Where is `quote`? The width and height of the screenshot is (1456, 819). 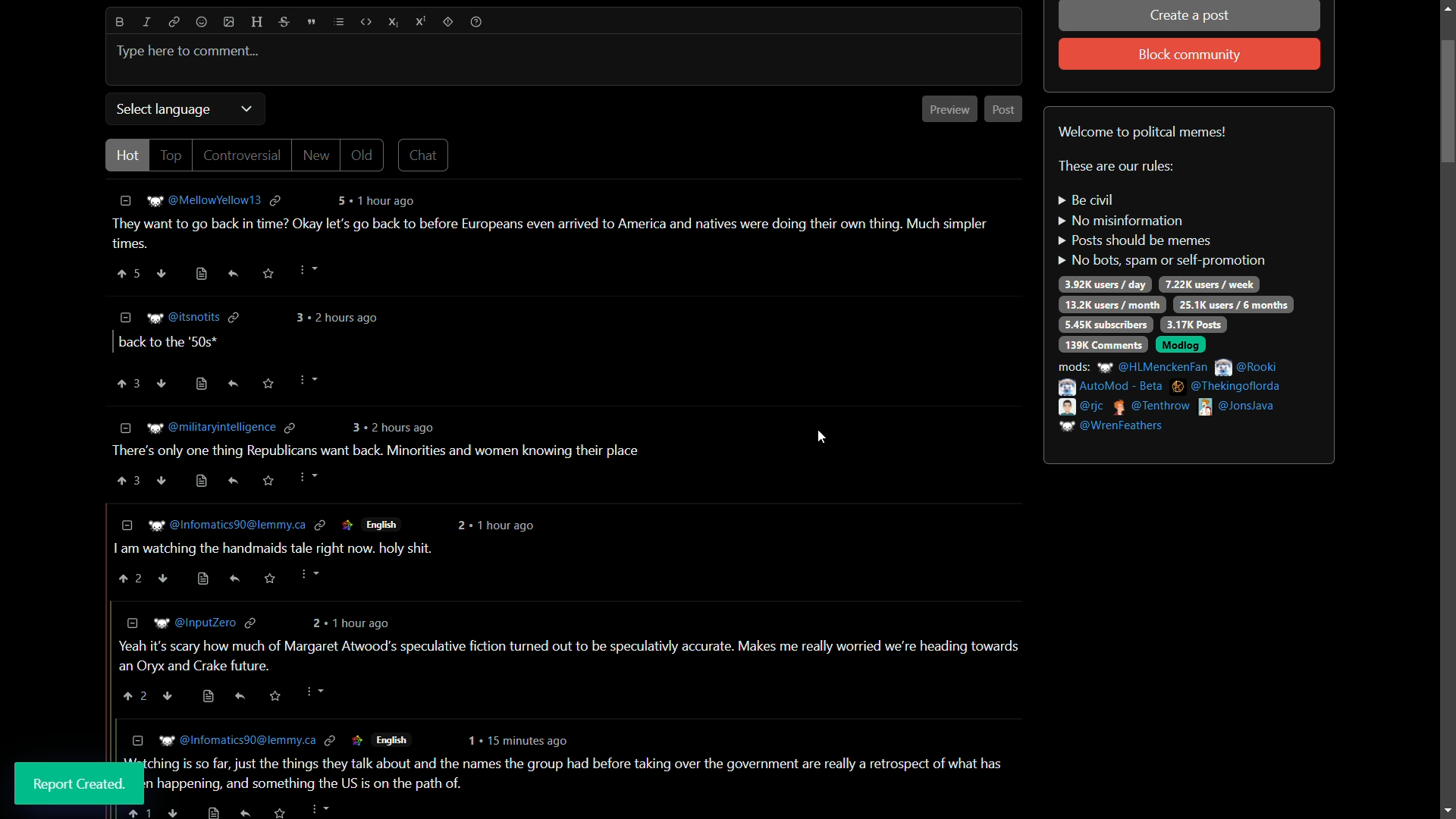 quote is located at coordinates (311, 21).